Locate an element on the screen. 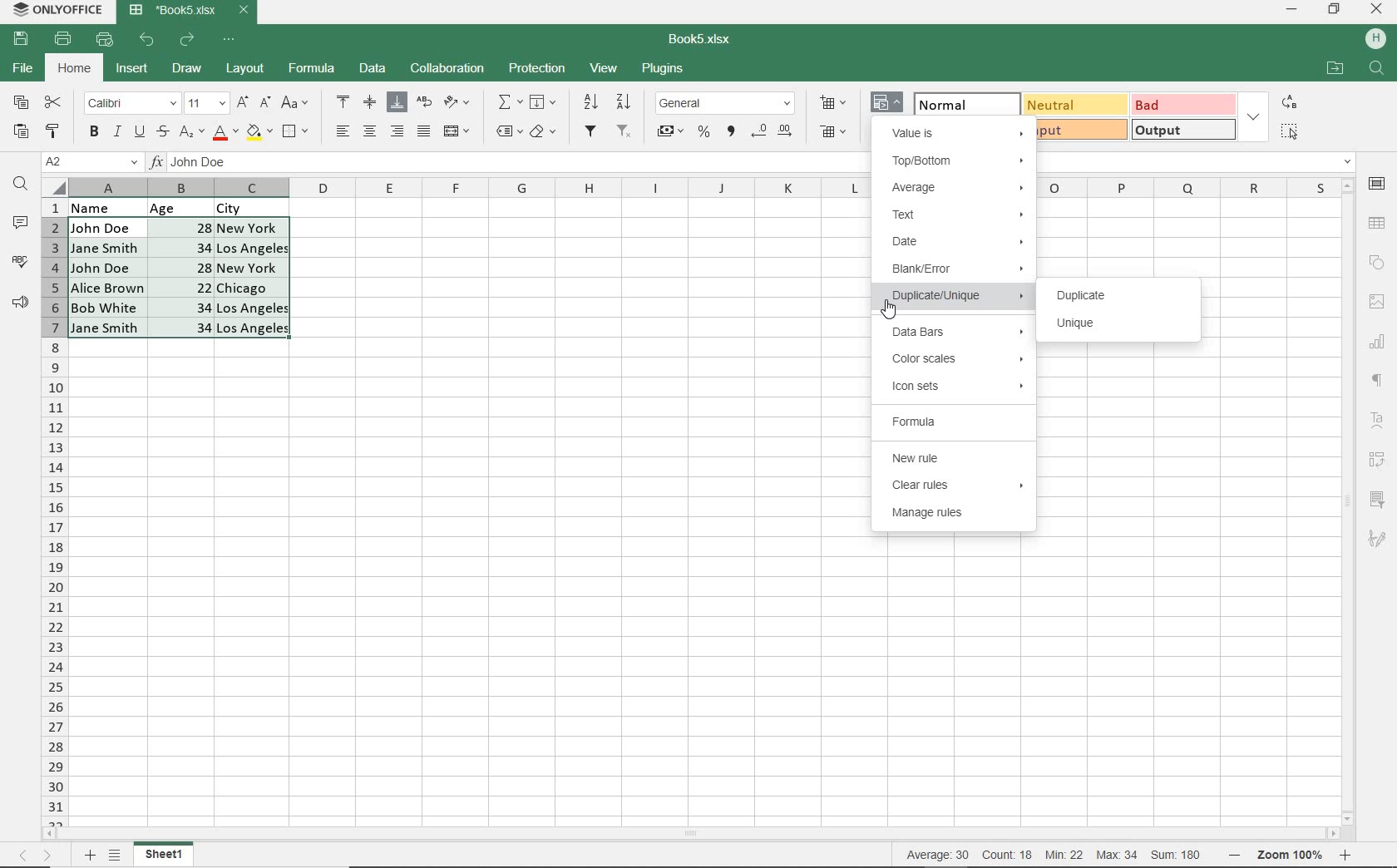 The height and width of the screenshot is (868, 1397). PLUGINS is located at coordinates (664, 70).